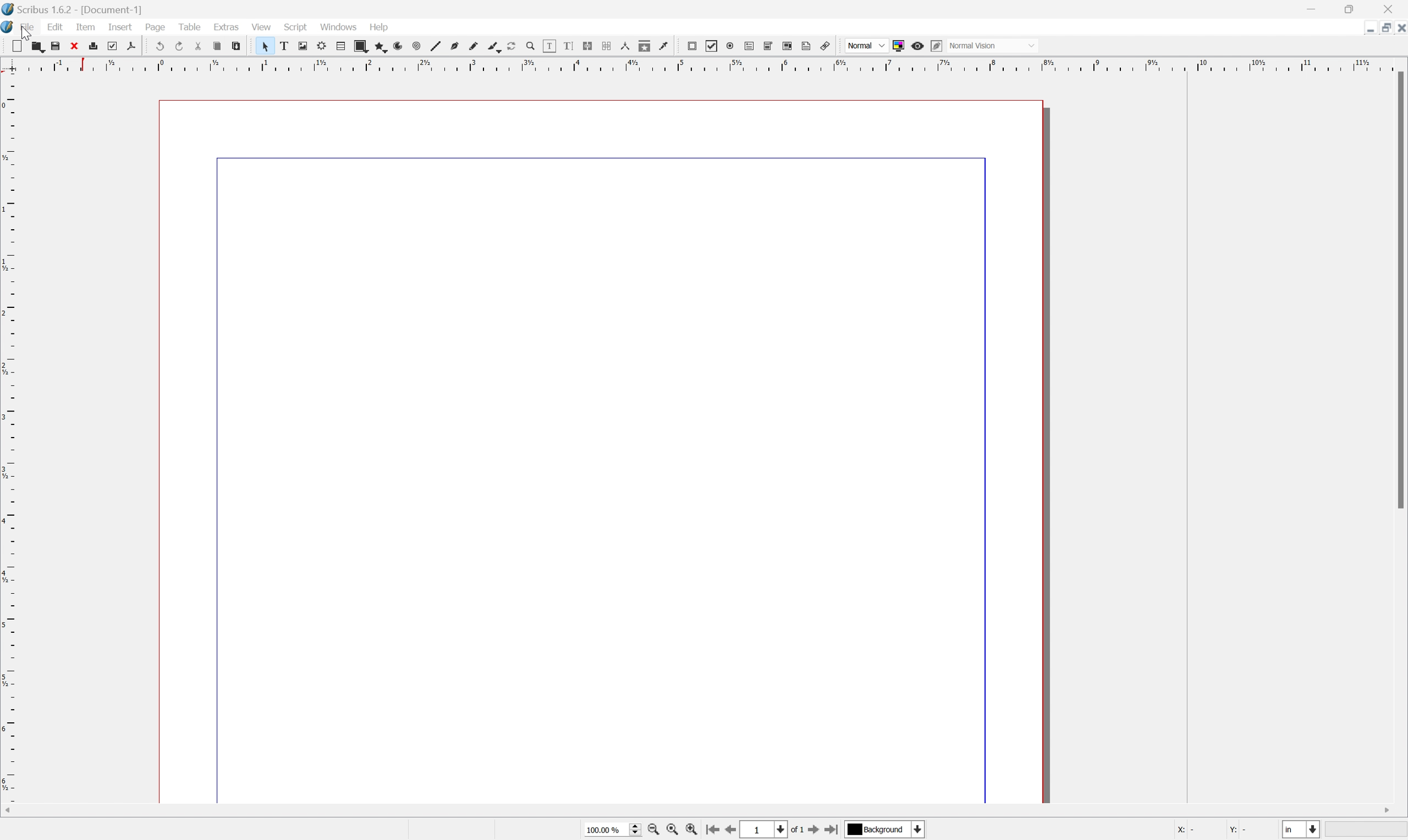  What do you see at coordinates (302, 46) in the screenshot?
I see `Image frame` at bounding box center [302, 46].